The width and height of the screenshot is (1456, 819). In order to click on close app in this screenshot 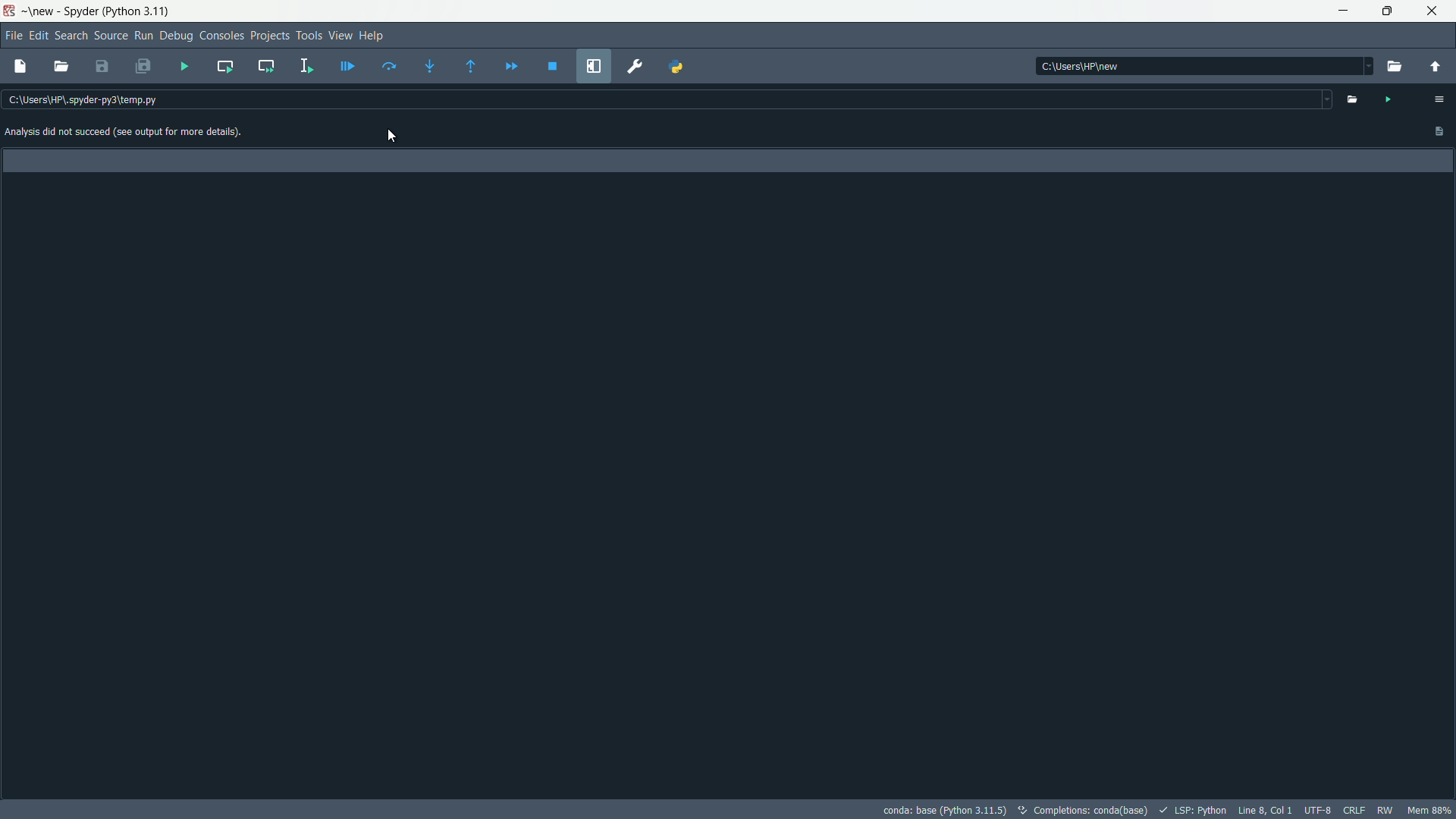, I will do `click(1435, 11)`.